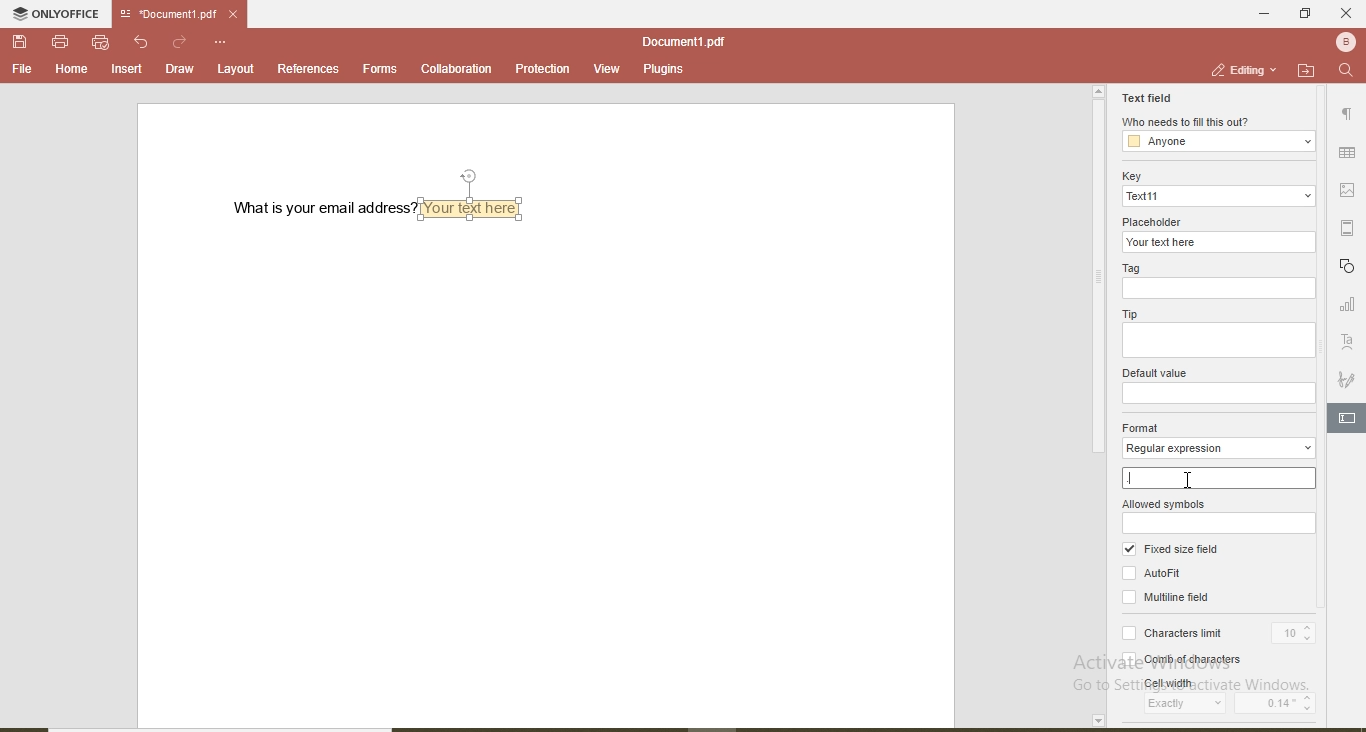  Describe the element at coordinates (1348, 154) in the screenshot. I see `table` at that location.